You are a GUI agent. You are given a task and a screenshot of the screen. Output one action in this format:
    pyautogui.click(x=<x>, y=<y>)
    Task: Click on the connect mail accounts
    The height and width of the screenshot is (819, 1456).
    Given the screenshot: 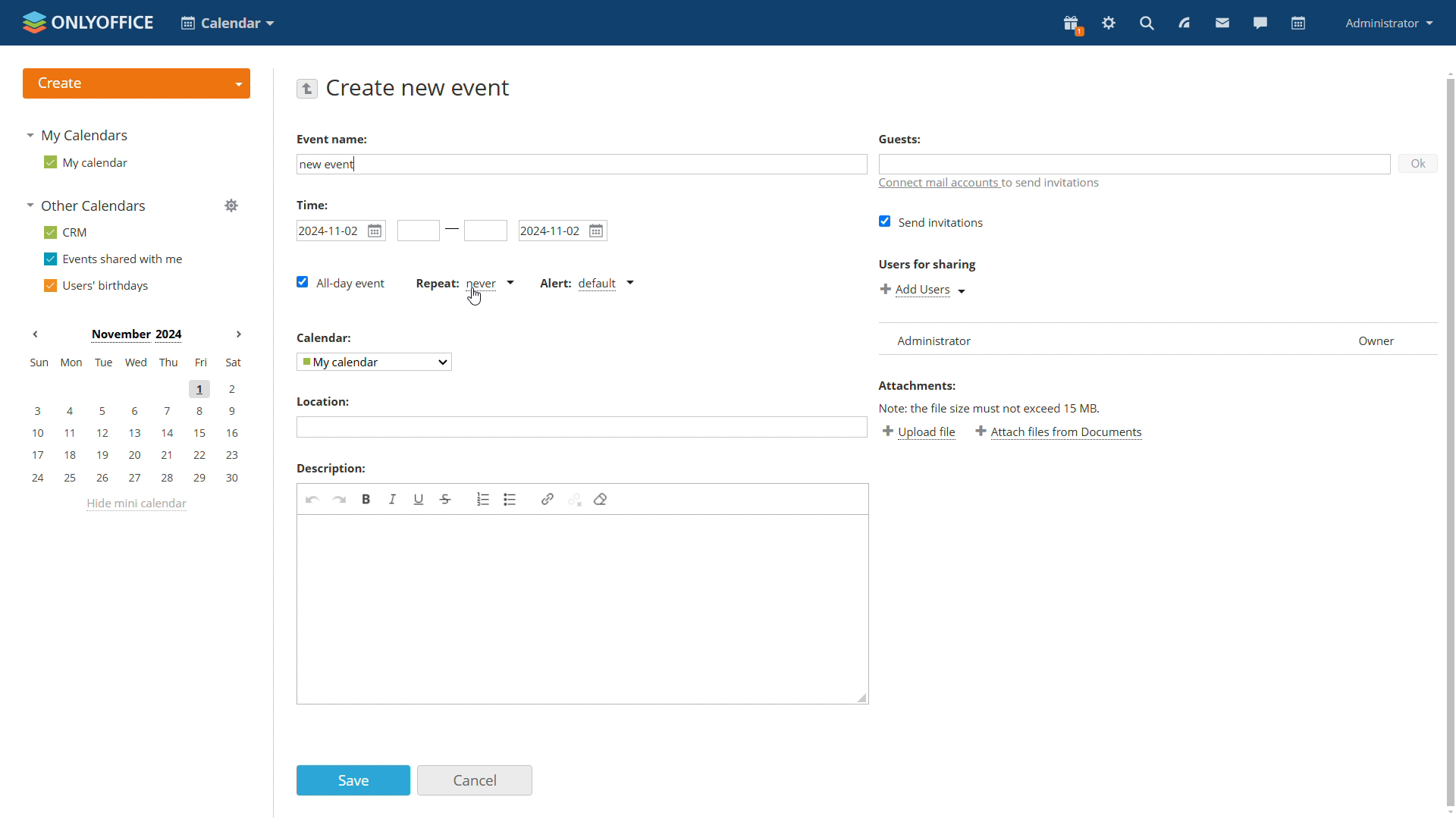 What is the action you would take?
    pyautogui.click(x=989, y=185)
    